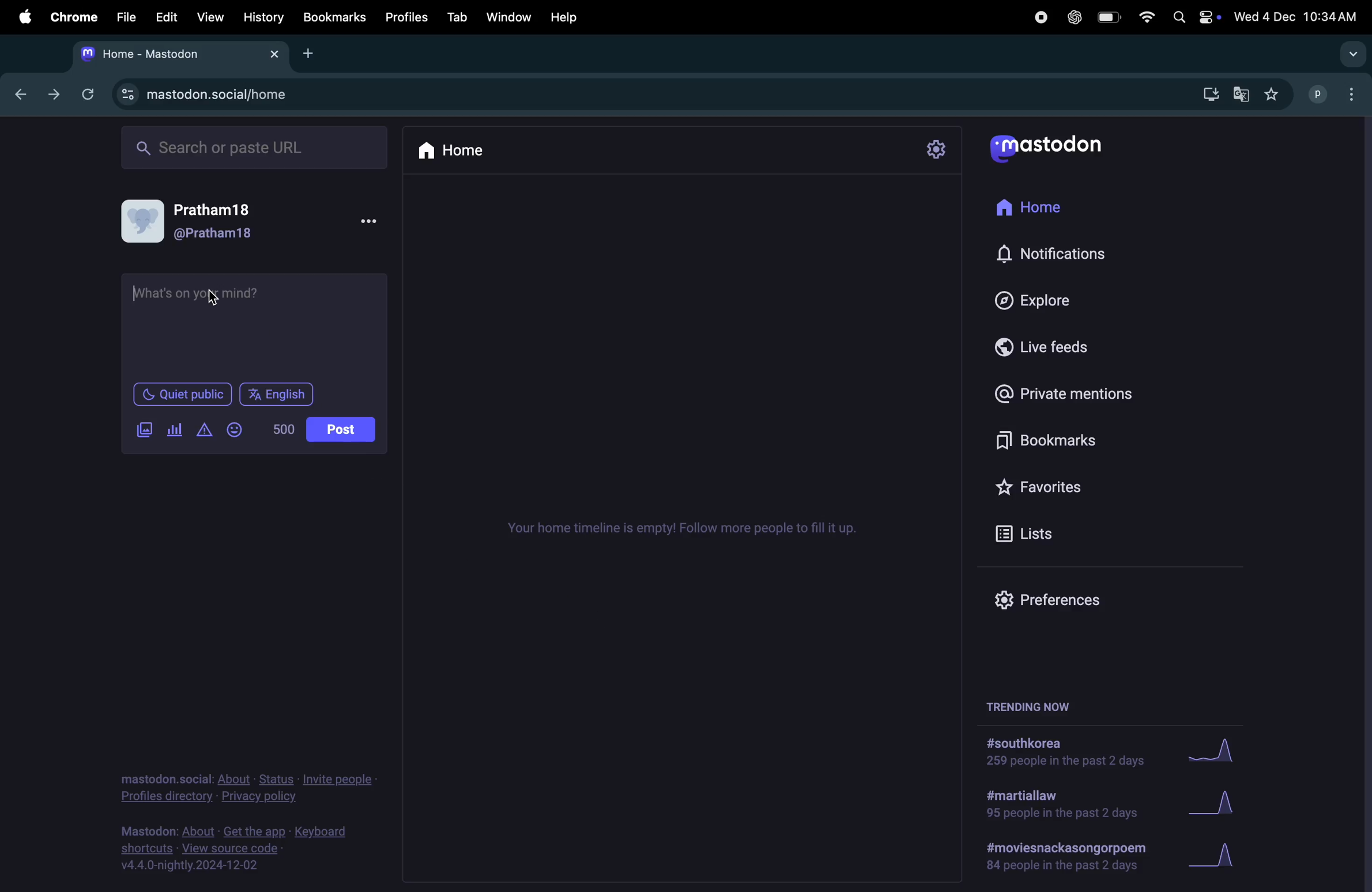 This screenshot has height=892, width=1372. What do you see at coordinates (177, 54) in the screenshot?
I see `Mastodon tab` at bounding box center [177, 54].